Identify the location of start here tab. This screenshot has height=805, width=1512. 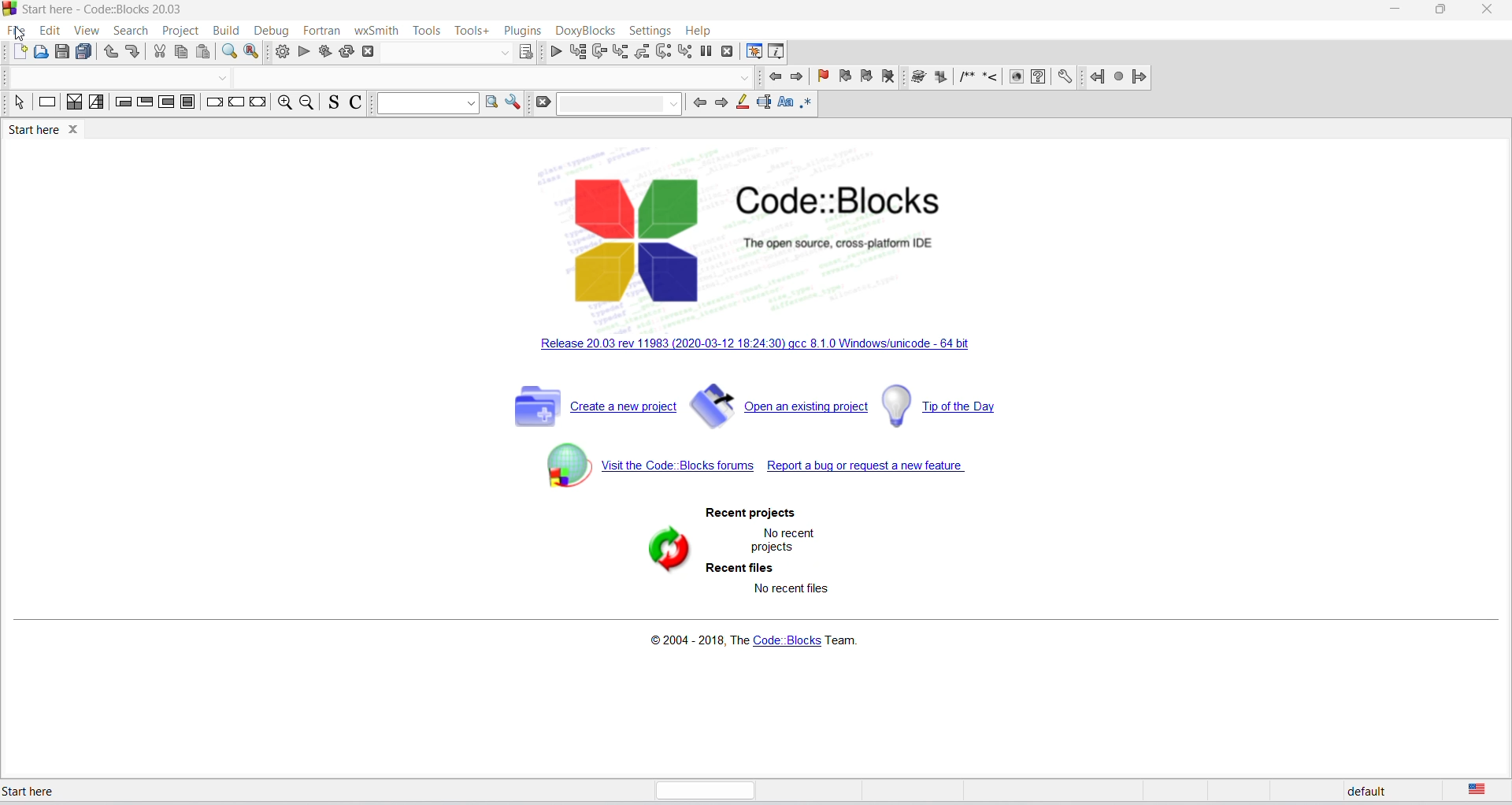
(48, 130).